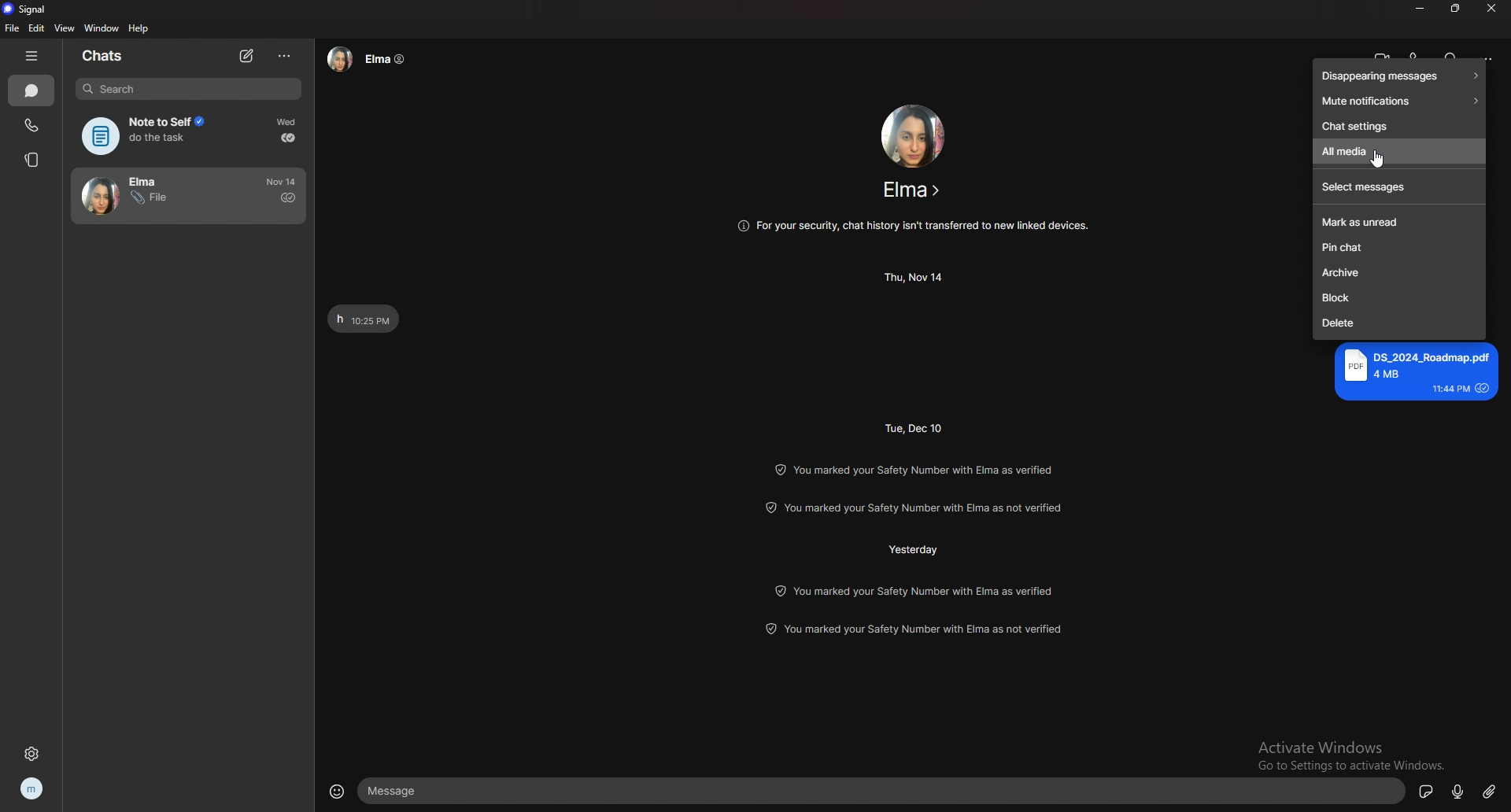  What do you see at coordinates (912, 190) in the screenshot?
I see `contact info` at bounding box center [912, 190].